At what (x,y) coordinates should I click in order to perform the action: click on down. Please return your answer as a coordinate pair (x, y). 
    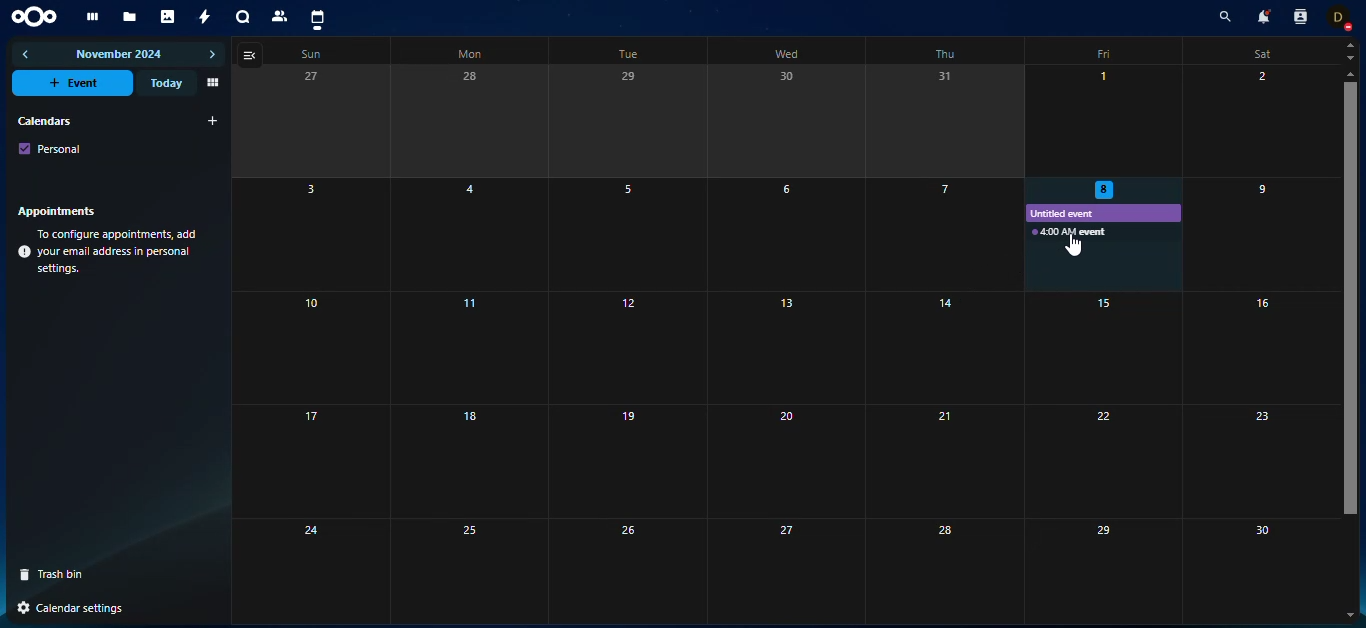
    Looking at the image, I should click on (1350, 57).